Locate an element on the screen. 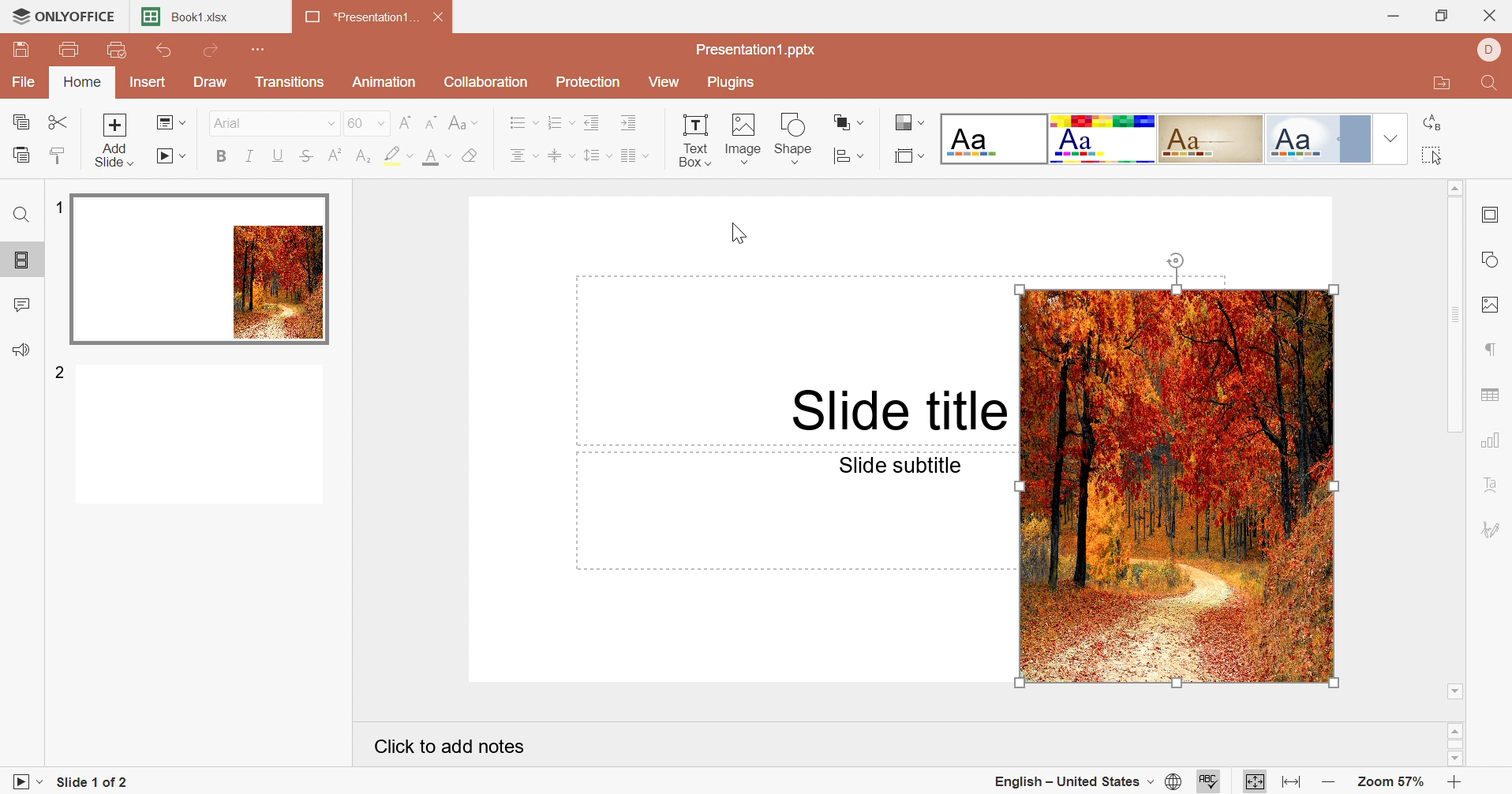 This screenshot has width=1512, height=794. Slide settings is located at coordinates (1489, 214).